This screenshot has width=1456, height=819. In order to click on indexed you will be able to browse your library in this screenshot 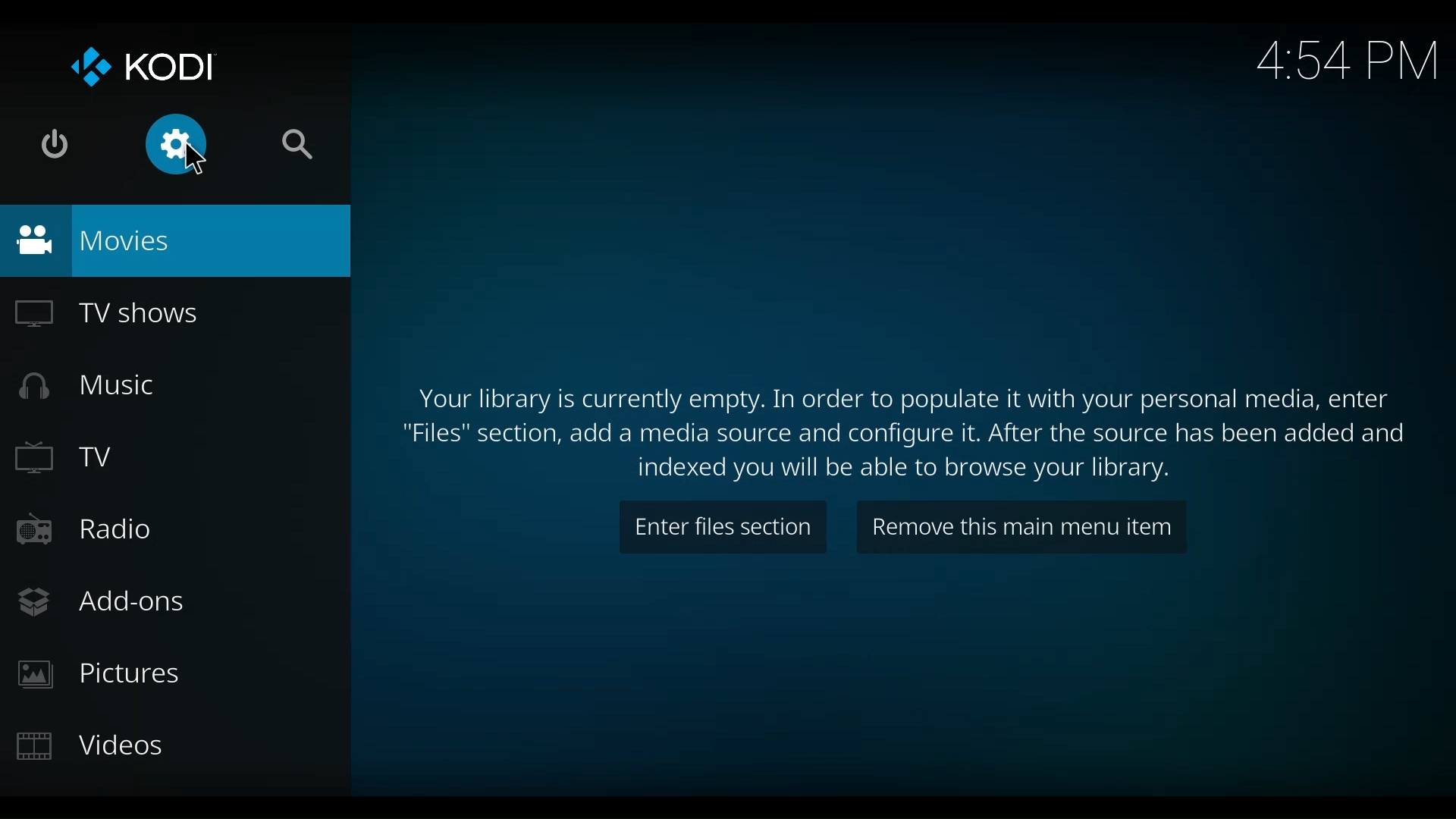, I will do `click(903, 472)`.